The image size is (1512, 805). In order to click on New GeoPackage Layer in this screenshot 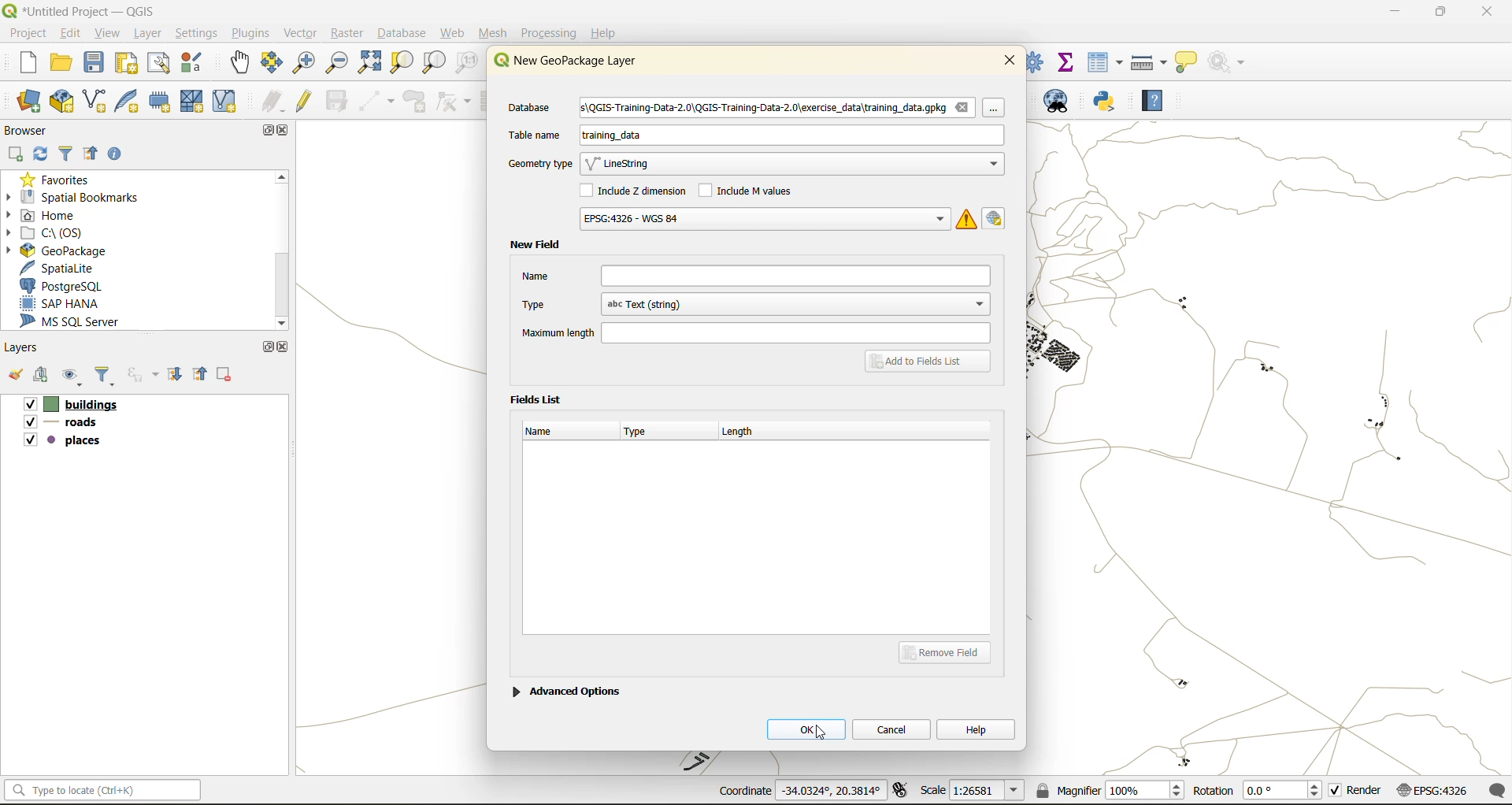, I will do `click(561, 61)`.